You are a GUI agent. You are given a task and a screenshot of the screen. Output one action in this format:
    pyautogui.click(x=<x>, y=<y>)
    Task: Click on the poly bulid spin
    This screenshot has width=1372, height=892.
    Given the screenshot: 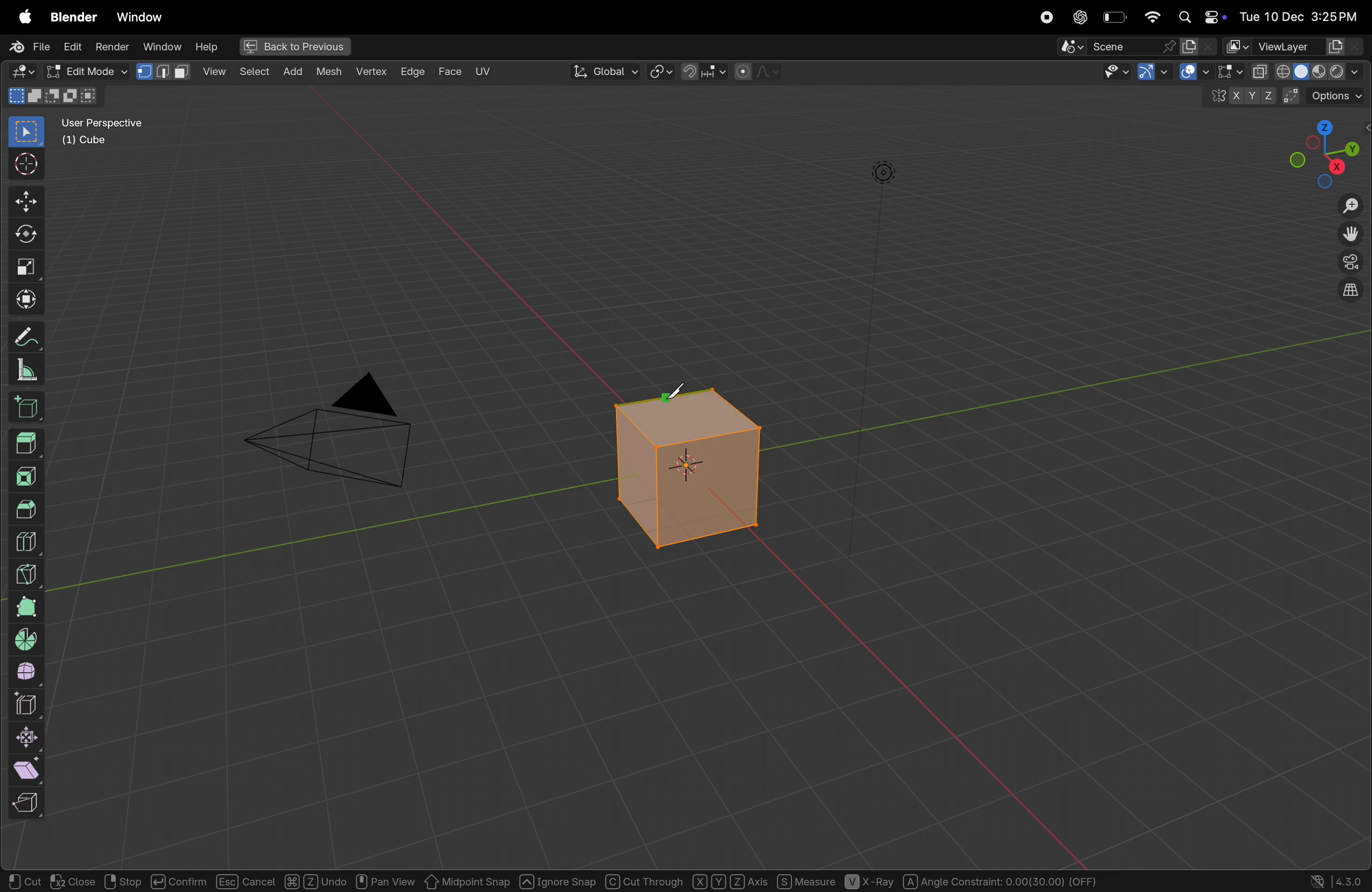 What is the action you would take?
    pyautogui.click(x=26, y=607)
    